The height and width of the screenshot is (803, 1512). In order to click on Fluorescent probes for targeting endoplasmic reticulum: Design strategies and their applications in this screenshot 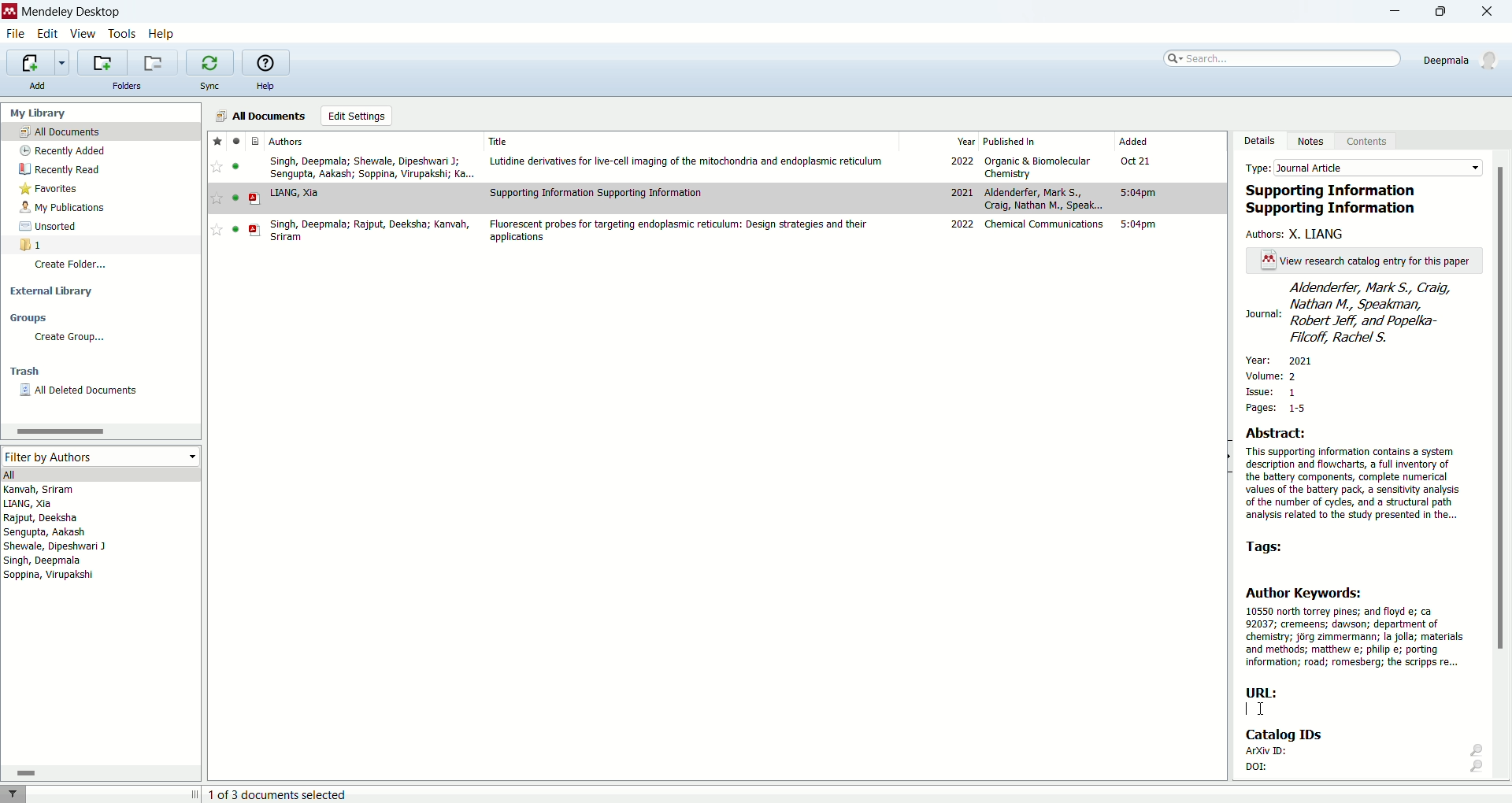, I will do `click(677, 231)`.